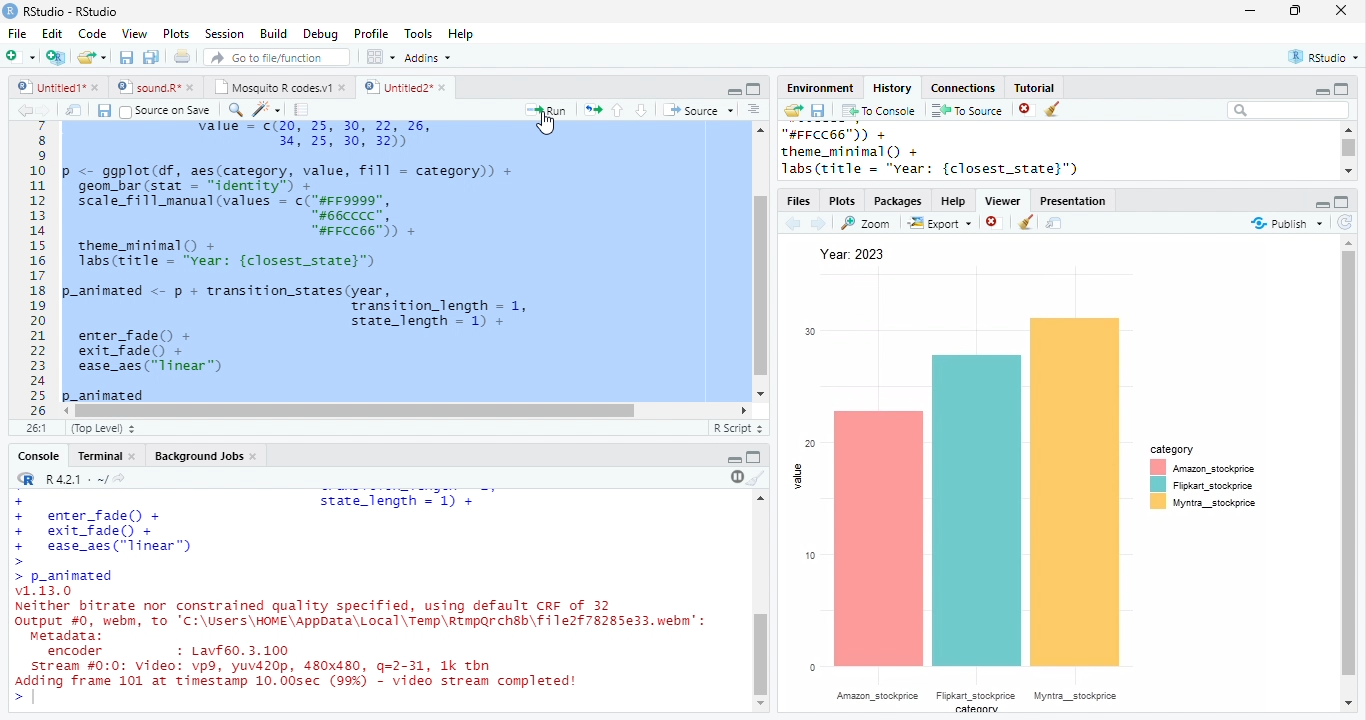 This screenshot has height=720, width=1366. What do you see at coordinates (735, 92) in the screenshot?
I see `minimize` at bounding box center [735, 92].